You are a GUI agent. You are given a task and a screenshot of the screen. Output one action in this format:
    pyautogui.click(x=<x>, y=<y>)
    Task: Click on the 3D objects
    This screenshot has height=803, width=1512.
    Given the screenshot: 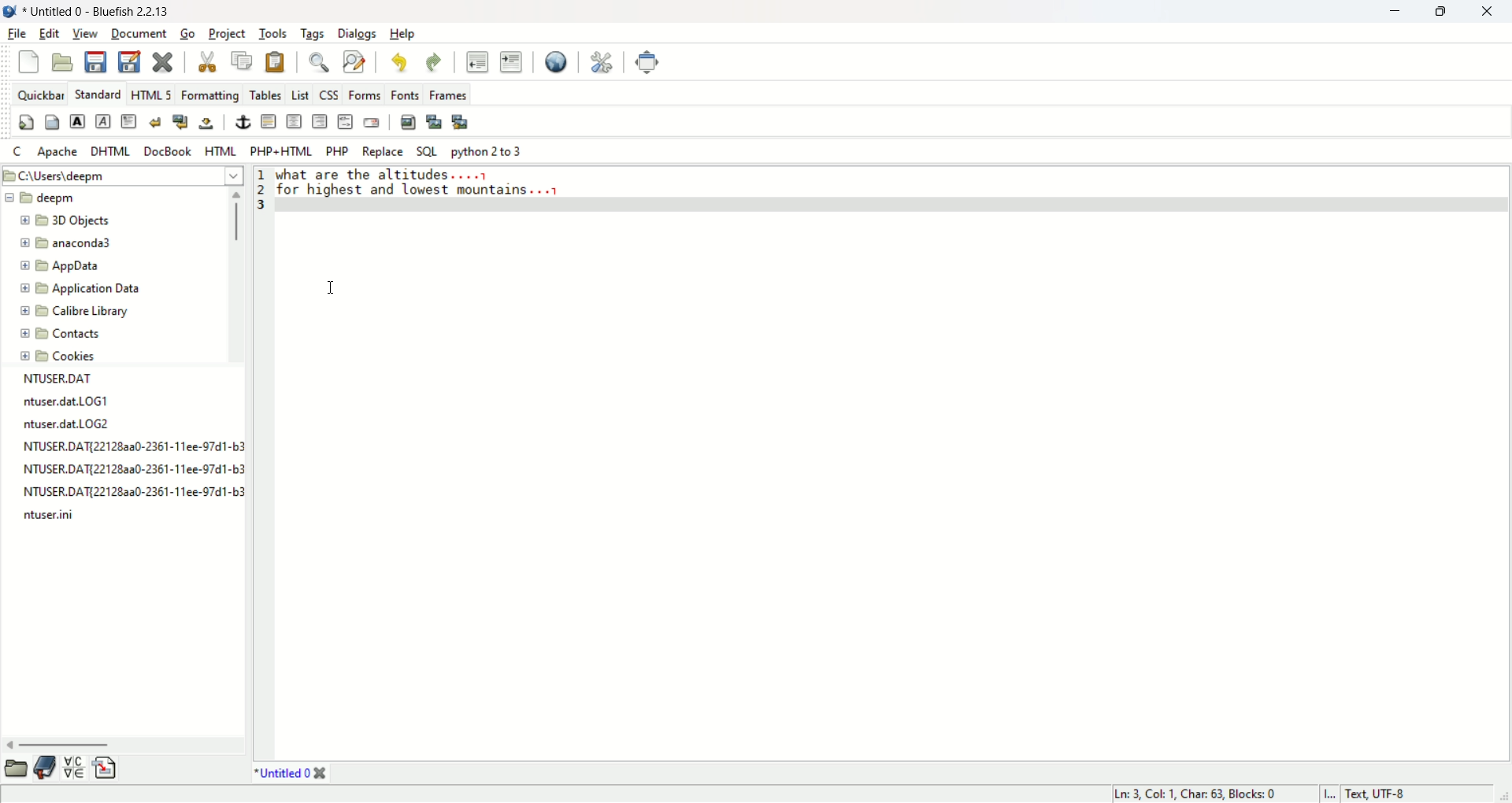 What is the action you would take?
    pyautogui.click(x=66, y=221)
    